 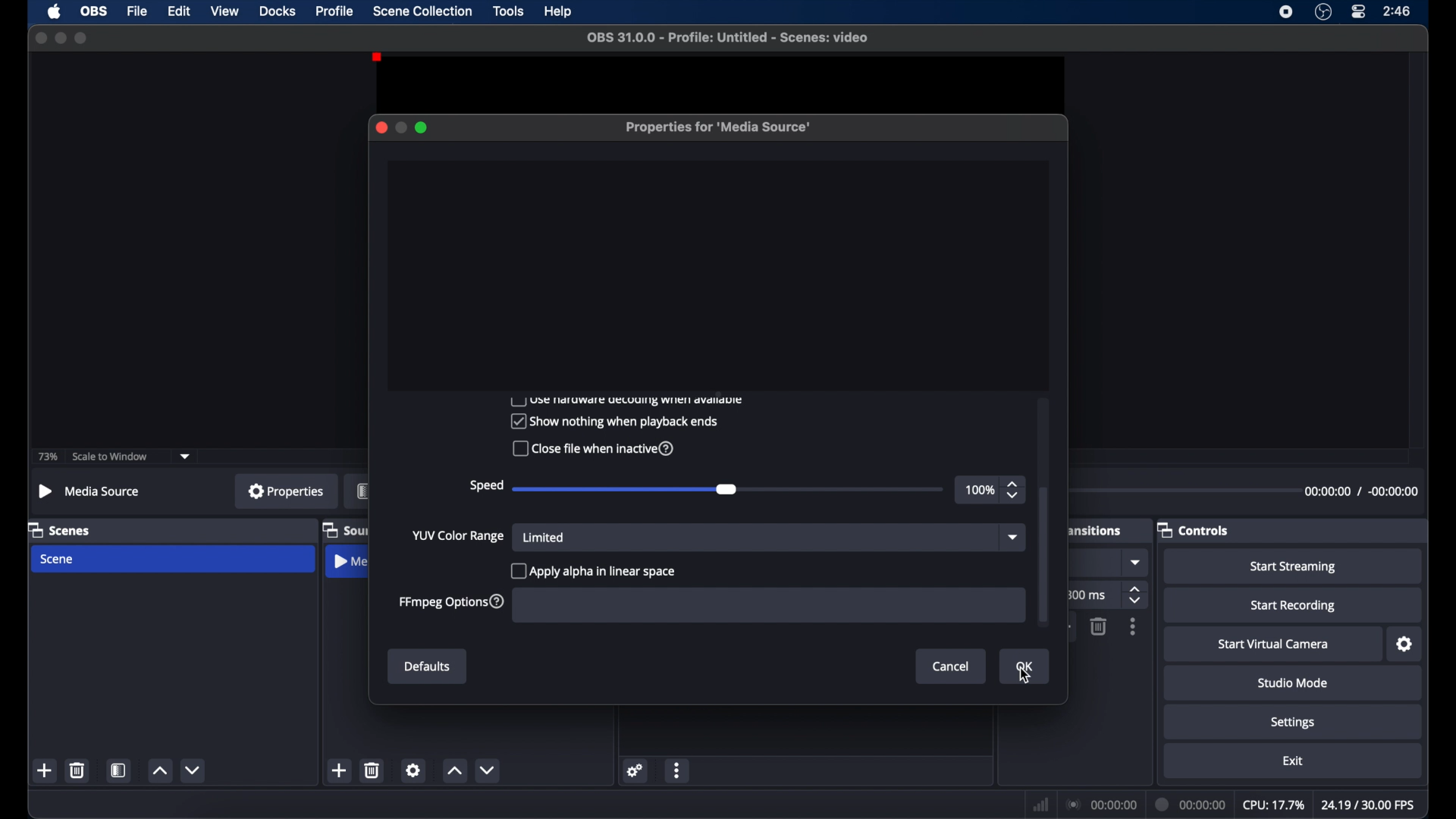 I want to click on start recording, so click(x=1294, y=606).